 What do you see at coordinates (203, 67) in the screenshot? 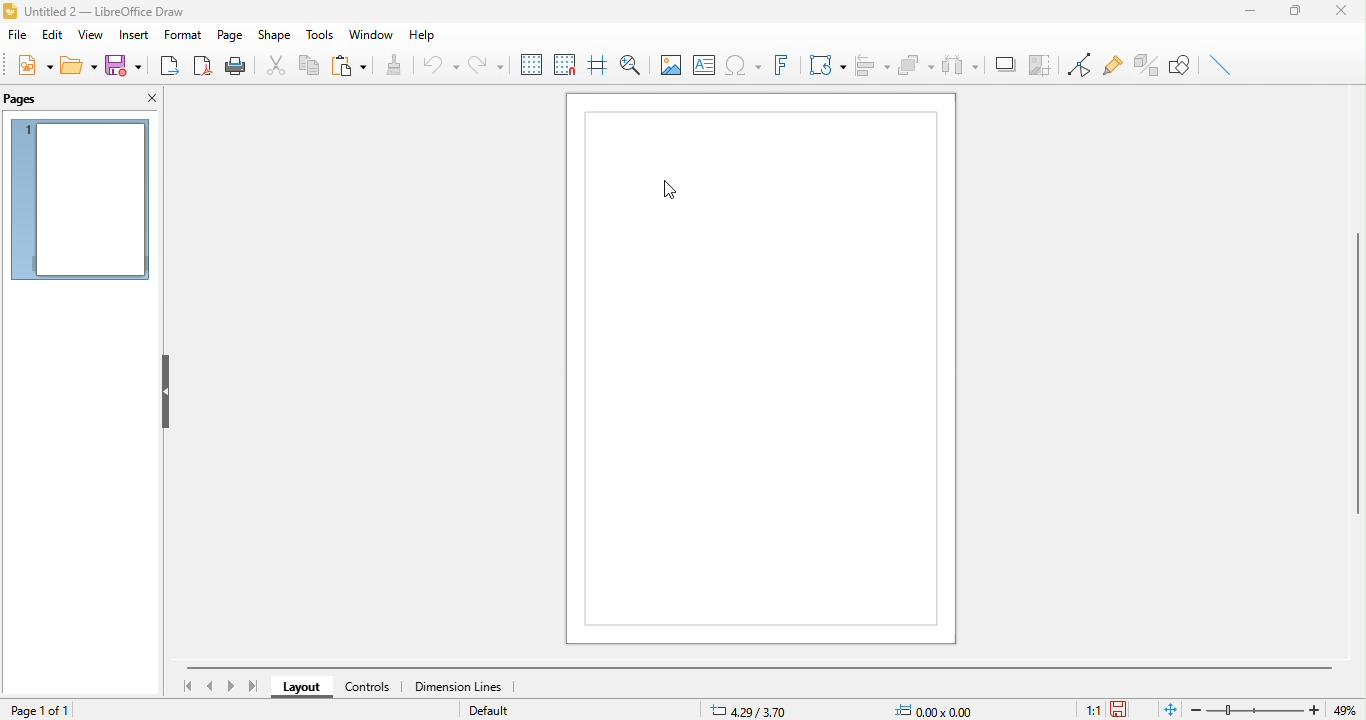
I see `export directly as pdf` at bounding box center [203, 67].